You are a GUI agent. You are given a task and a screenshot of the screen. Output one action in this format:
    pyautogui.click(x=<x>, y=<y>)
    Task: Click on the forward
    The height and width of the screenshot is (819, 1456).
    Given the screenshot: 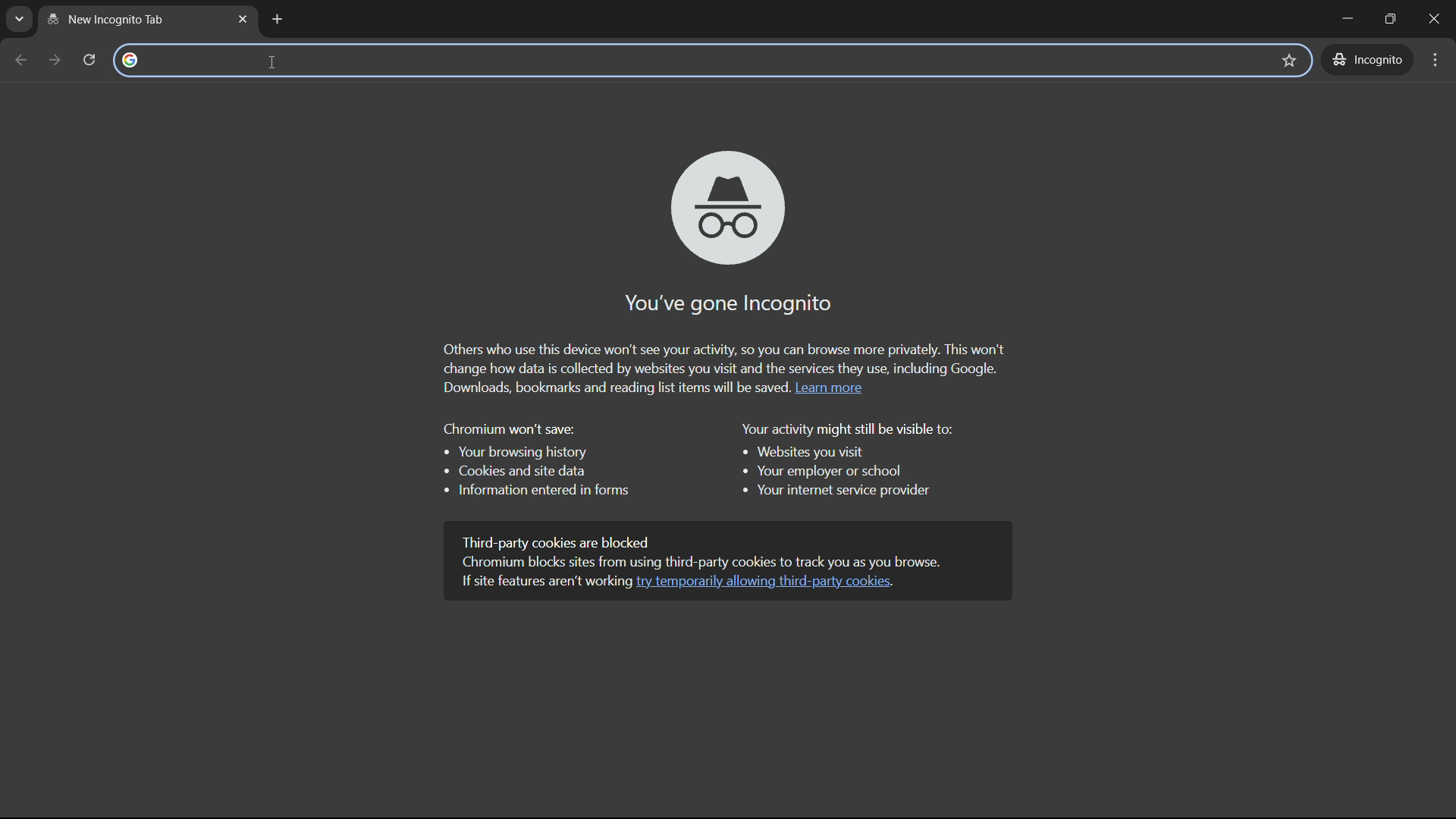 What is the action you would take?
    pyautogui.click(x=54, y=58)
    